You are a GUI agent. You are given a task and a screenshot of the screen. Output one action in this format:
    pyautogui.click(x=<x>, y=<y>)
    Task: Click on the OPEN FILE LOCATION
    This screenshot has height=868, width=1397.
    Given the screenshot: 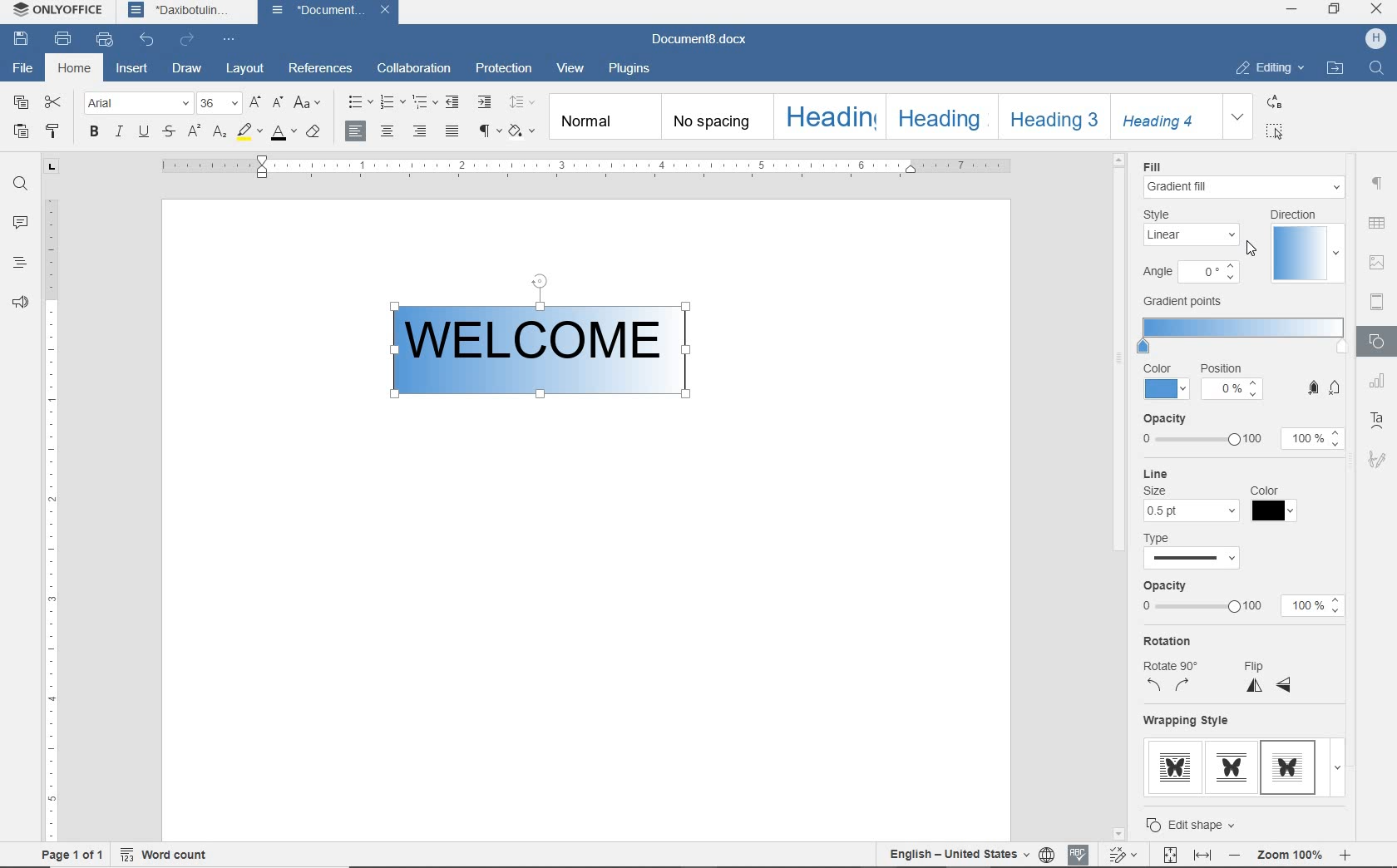 What is the action you would take?
    pyautogui.click(x=1335, y=70)
    